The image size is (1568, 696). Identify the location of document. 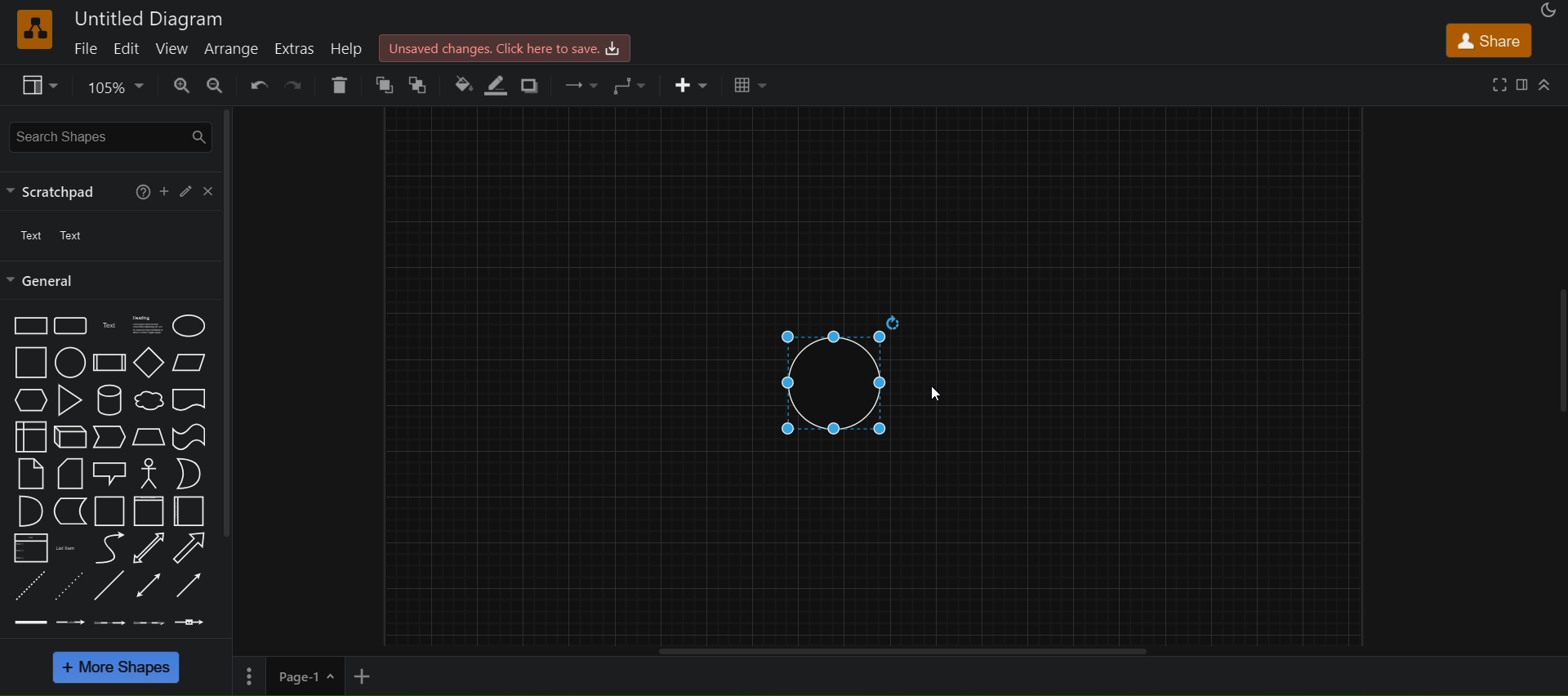
(193, 399).